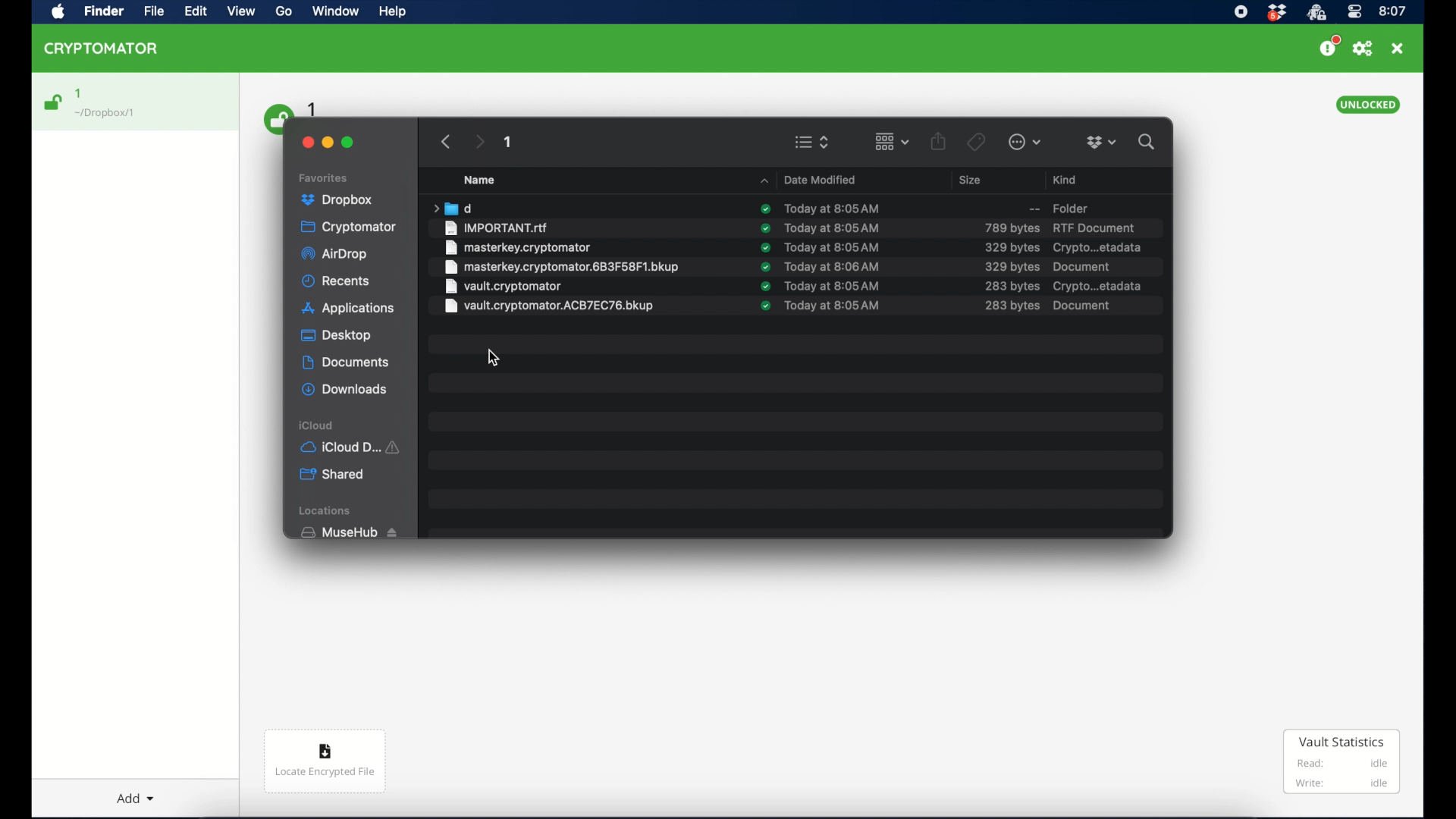  What do you see at coordinates (1050, 207) in the screenshot?
I see `Folder` at bounding box center [1050, 207].